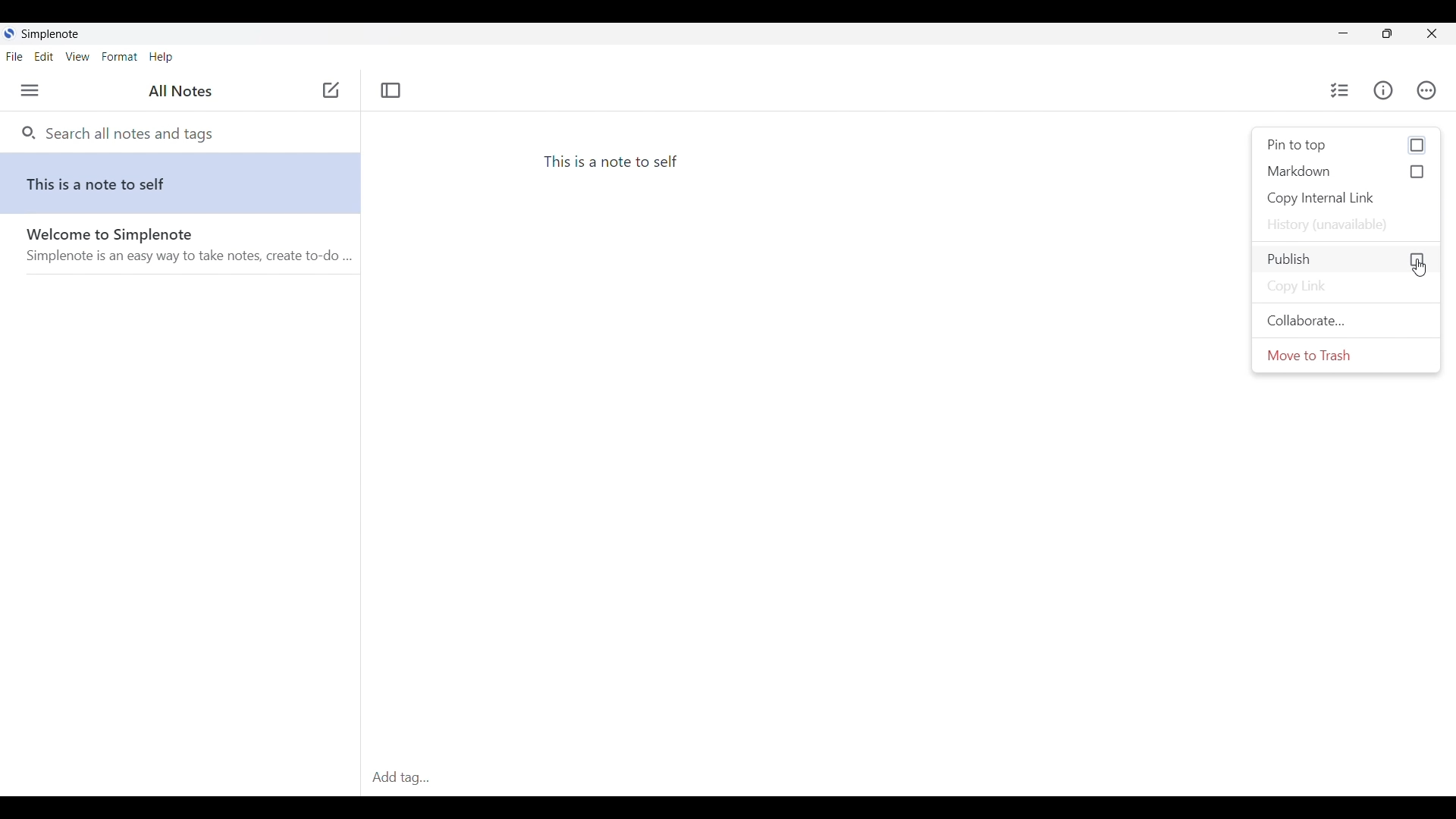 The width and height of the screenshot is (1456, 819). Describe the element at coordinates (161, 58) in the screenshot. I see `Help` at that location.